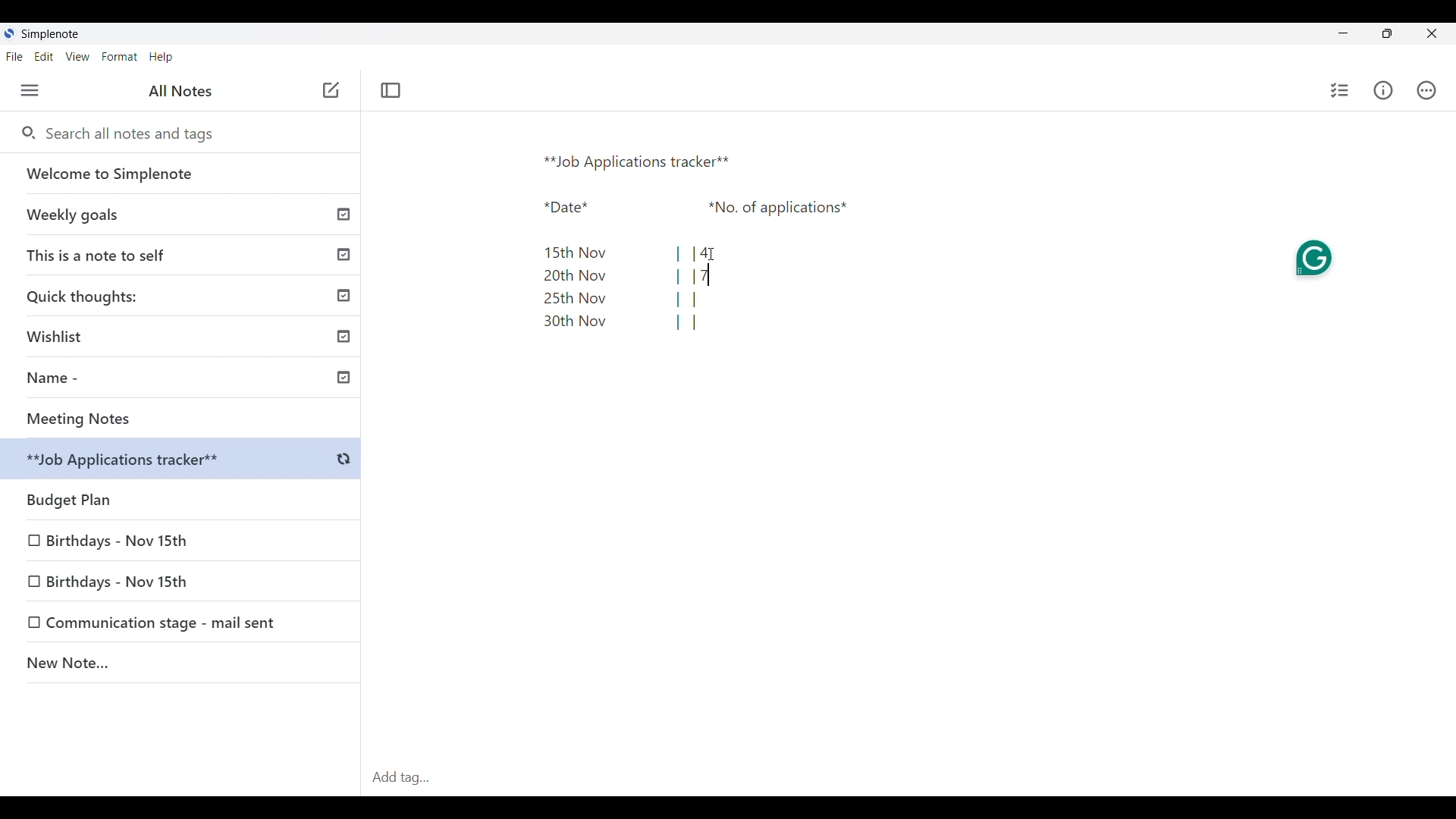  I want to click on Software name, so click(50, 34).